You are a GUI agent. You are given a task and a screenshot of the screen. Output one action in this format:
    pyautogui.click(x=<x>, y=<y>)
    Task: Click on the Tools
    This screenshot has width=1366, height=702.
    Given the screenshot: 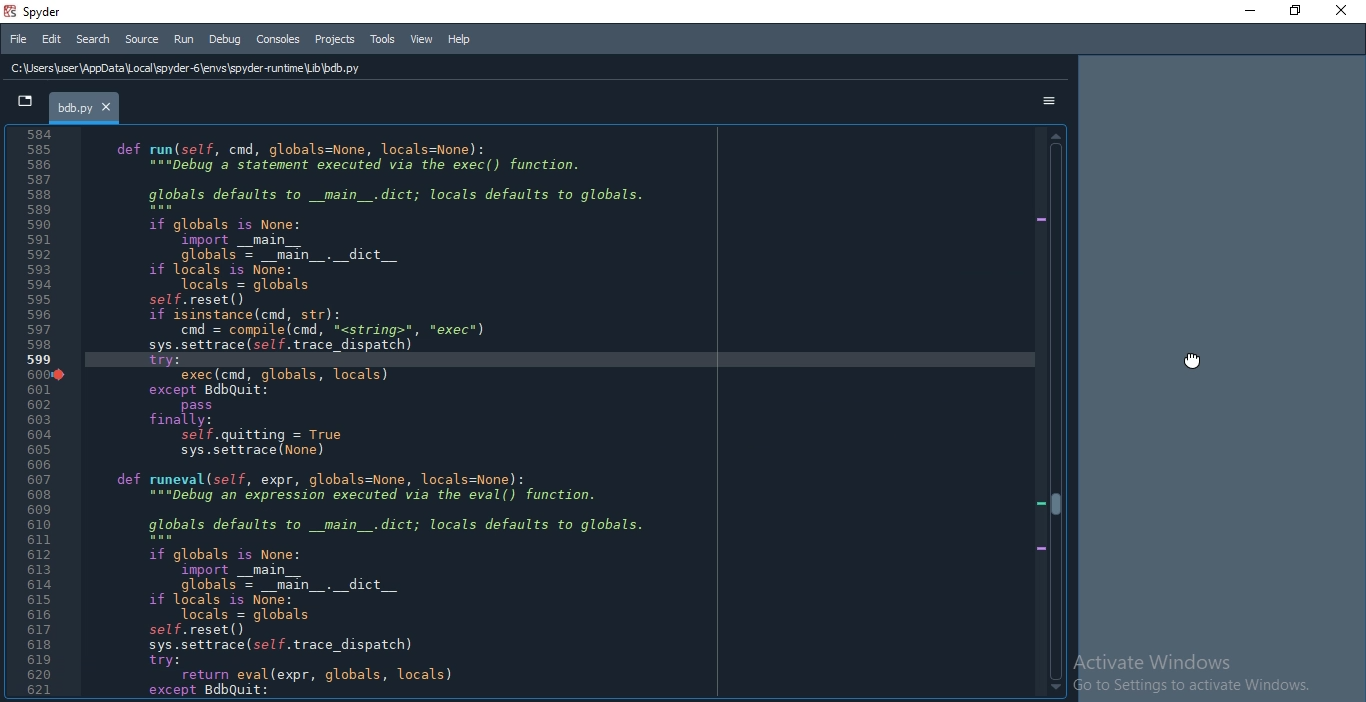 What is the action you would take?
    pyautogui.click(x=383, y=39)
    